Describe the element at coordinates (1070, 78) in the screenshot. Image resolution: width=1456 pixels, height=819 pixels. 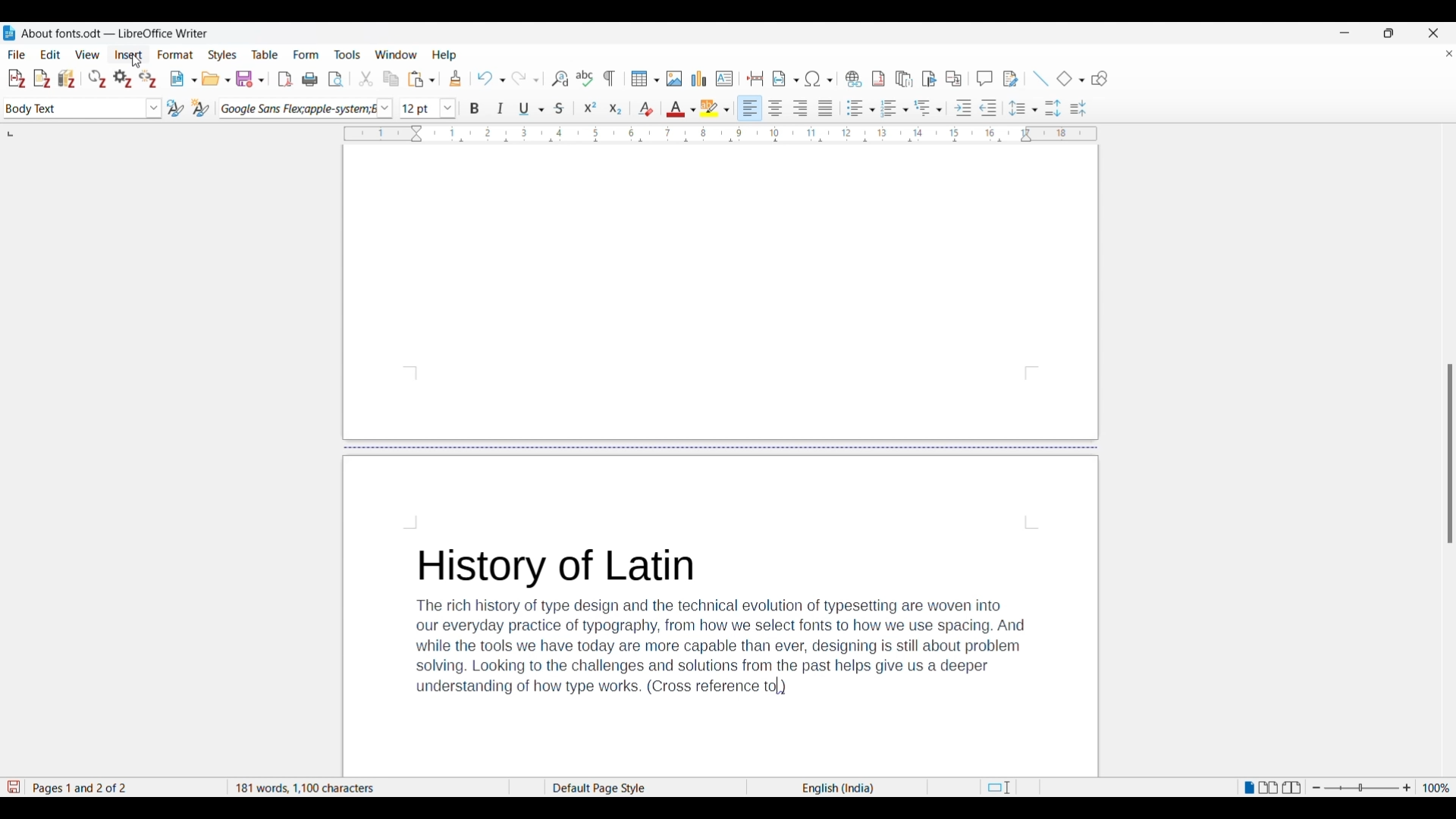
I see `Current basic shape and other basic shape options` at that location.